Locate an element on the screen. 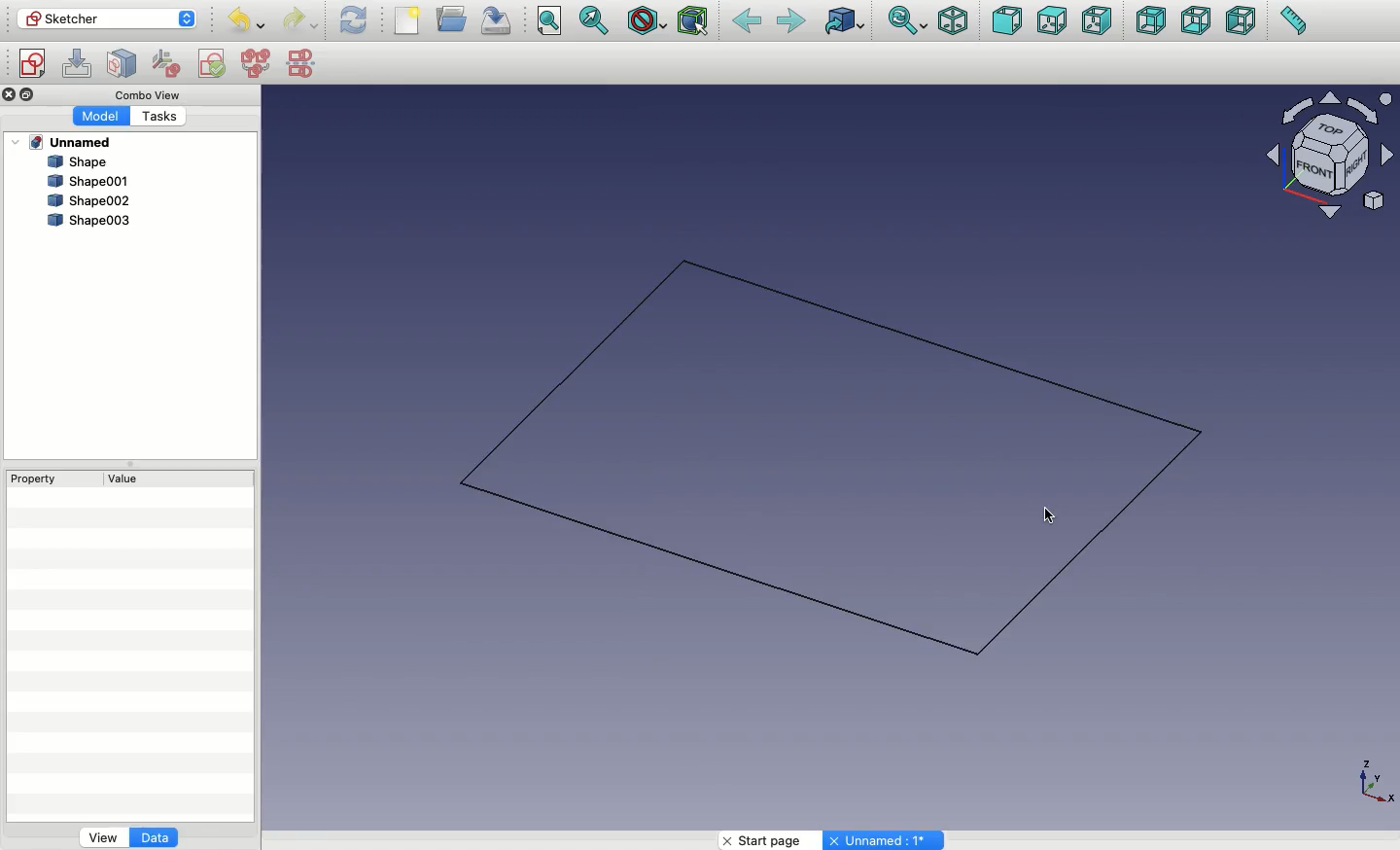 The height and width of the screenshot is (850, 1400). Navigator is located at coordinates (1332, 155).